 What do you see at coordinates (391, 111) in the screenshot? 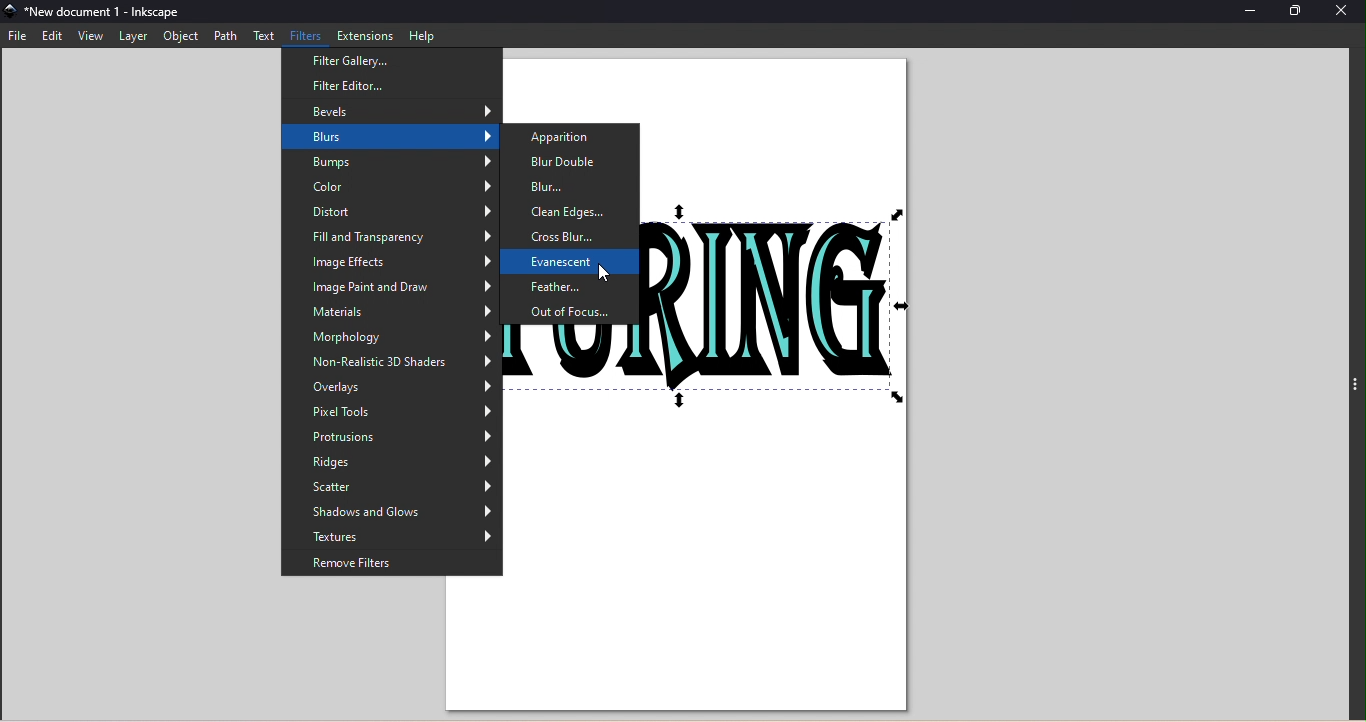
I see `Bevels` at bounding box center [391, 111].